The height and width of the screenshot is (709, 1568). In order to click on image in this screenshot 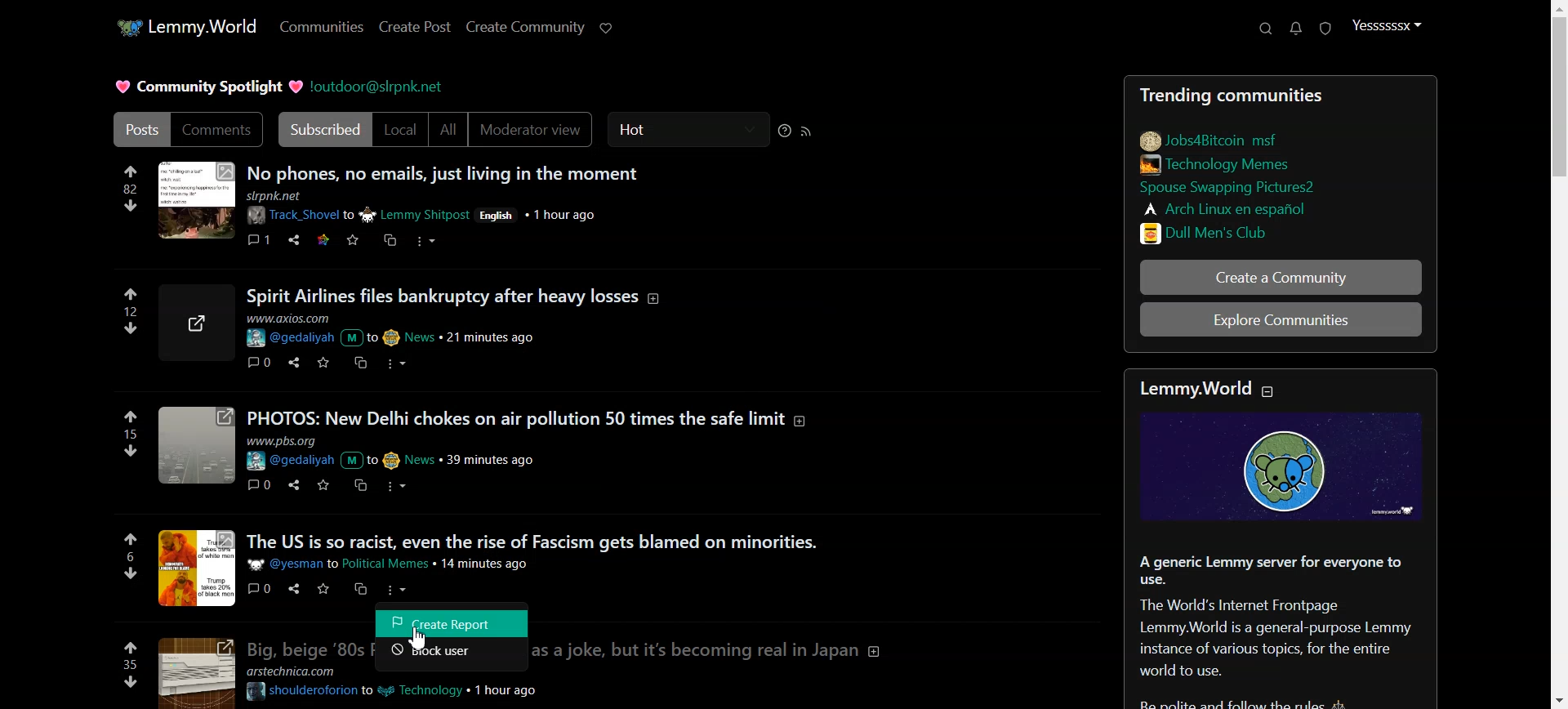, I will do `click(193, 672)`.